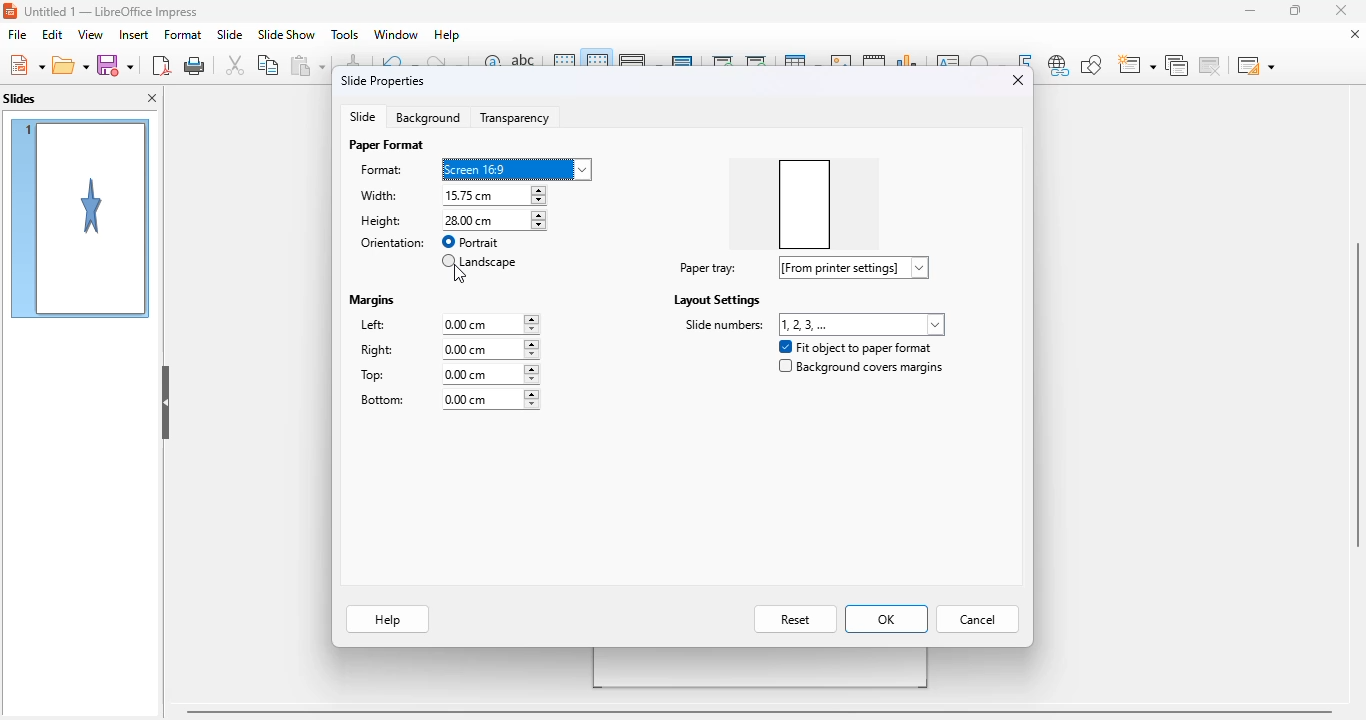 This screenshot has width=1366, height=720. Describe the element at coordinates (529, 394) in the screenshot. I see `increasing bottom margin` at that location.